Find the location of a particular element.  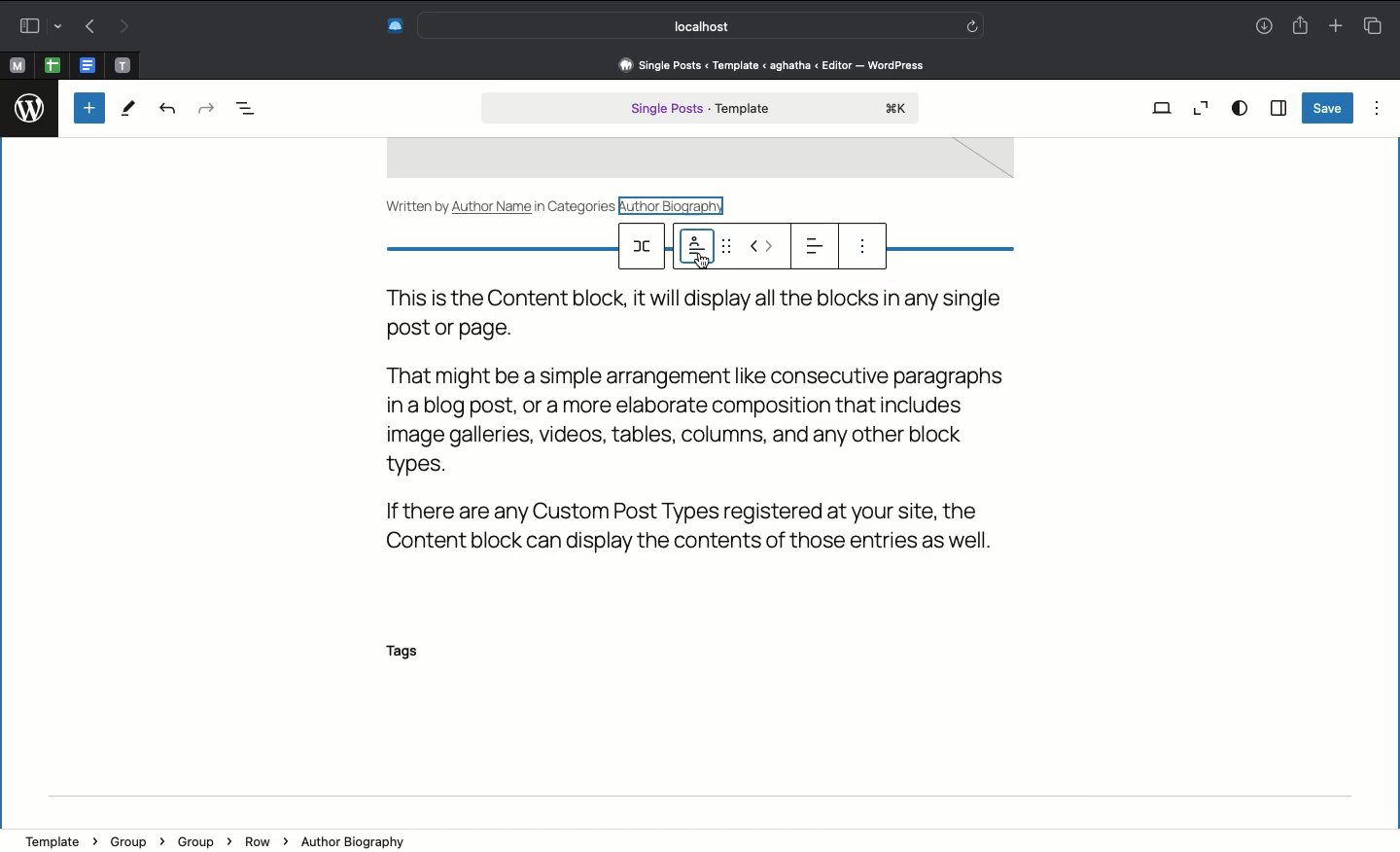

Options is located at coordinates (1377, 107).